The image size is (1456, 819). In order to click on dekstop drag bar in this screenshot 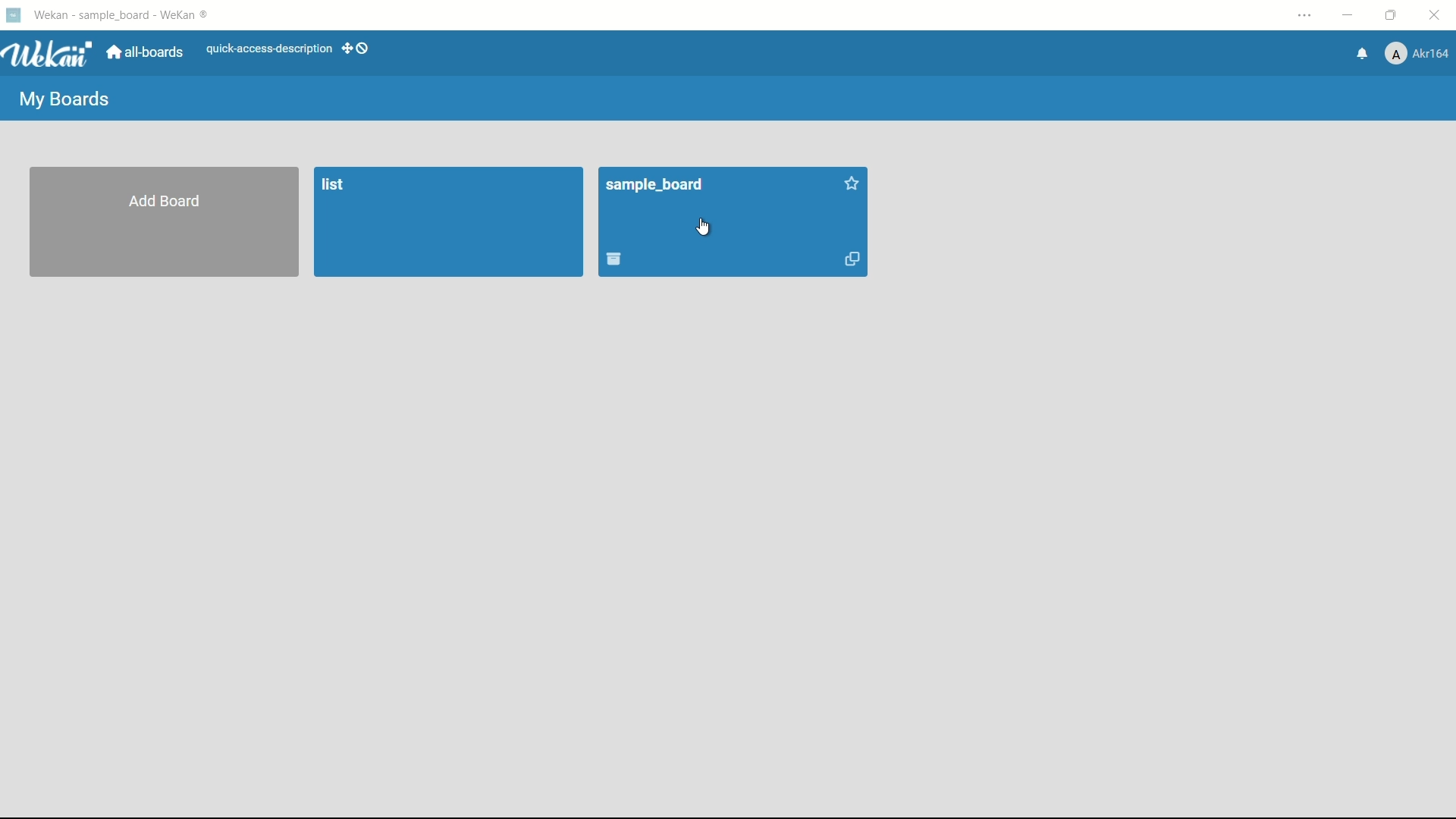, I will do `click(356, 50)`.